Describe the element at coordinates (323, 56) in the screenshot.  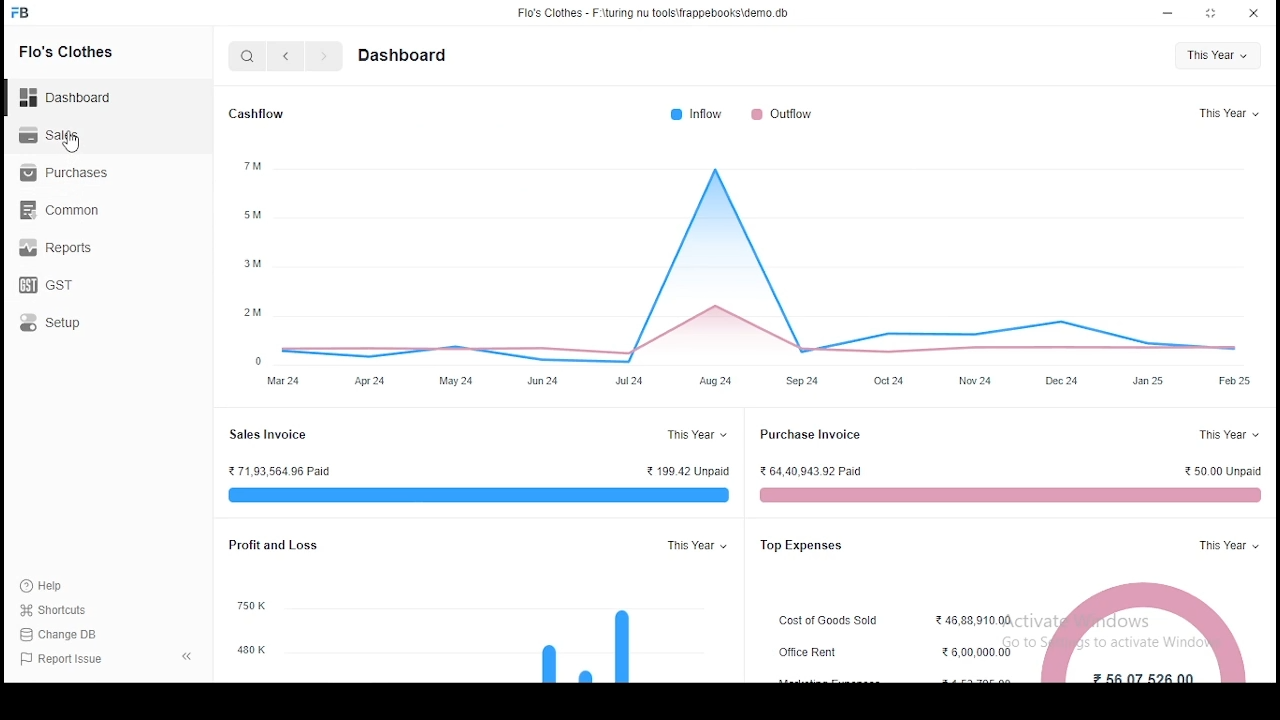
I see `next` at that location.